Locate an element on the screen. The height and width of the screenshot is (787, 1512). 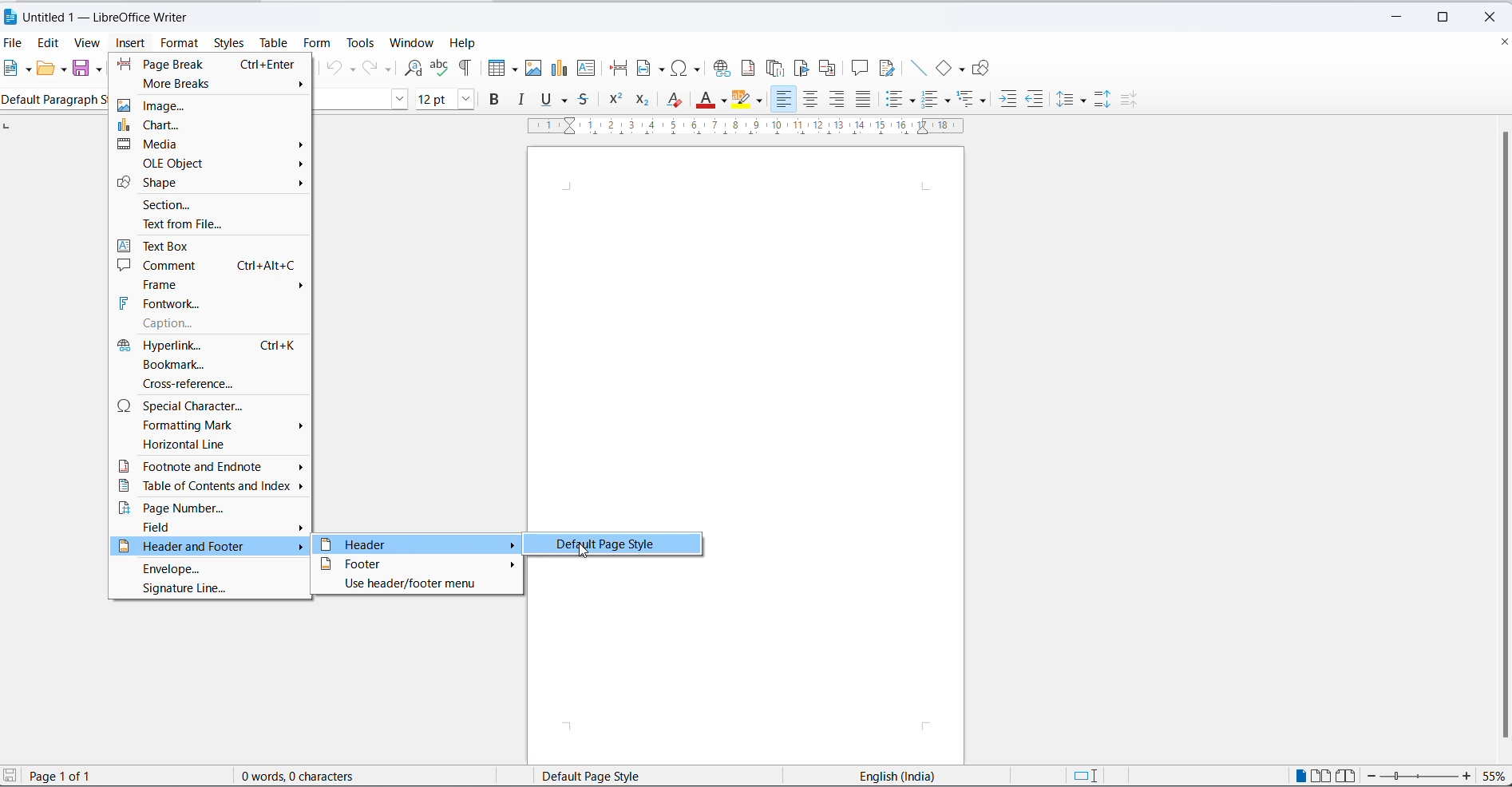
toggle ordered list is located at coordinates (933, 99).